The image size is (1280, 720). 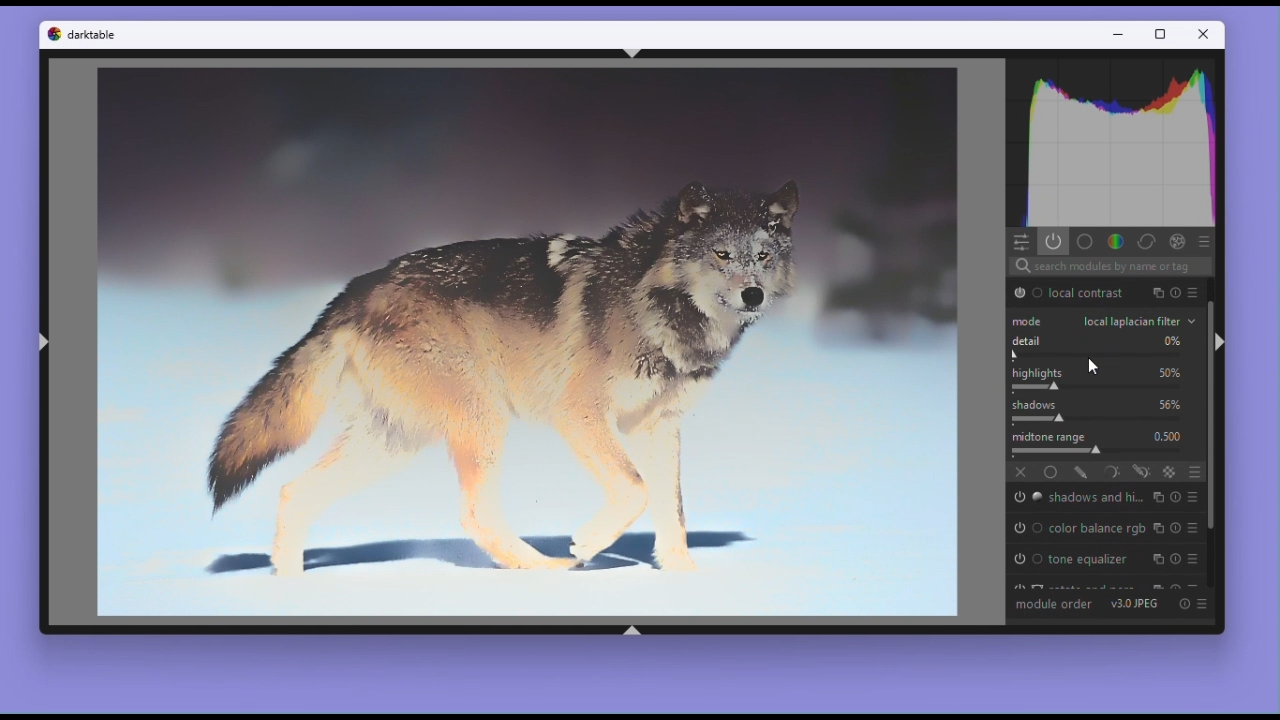 I want to click on base, so click(x=1086, y=241).